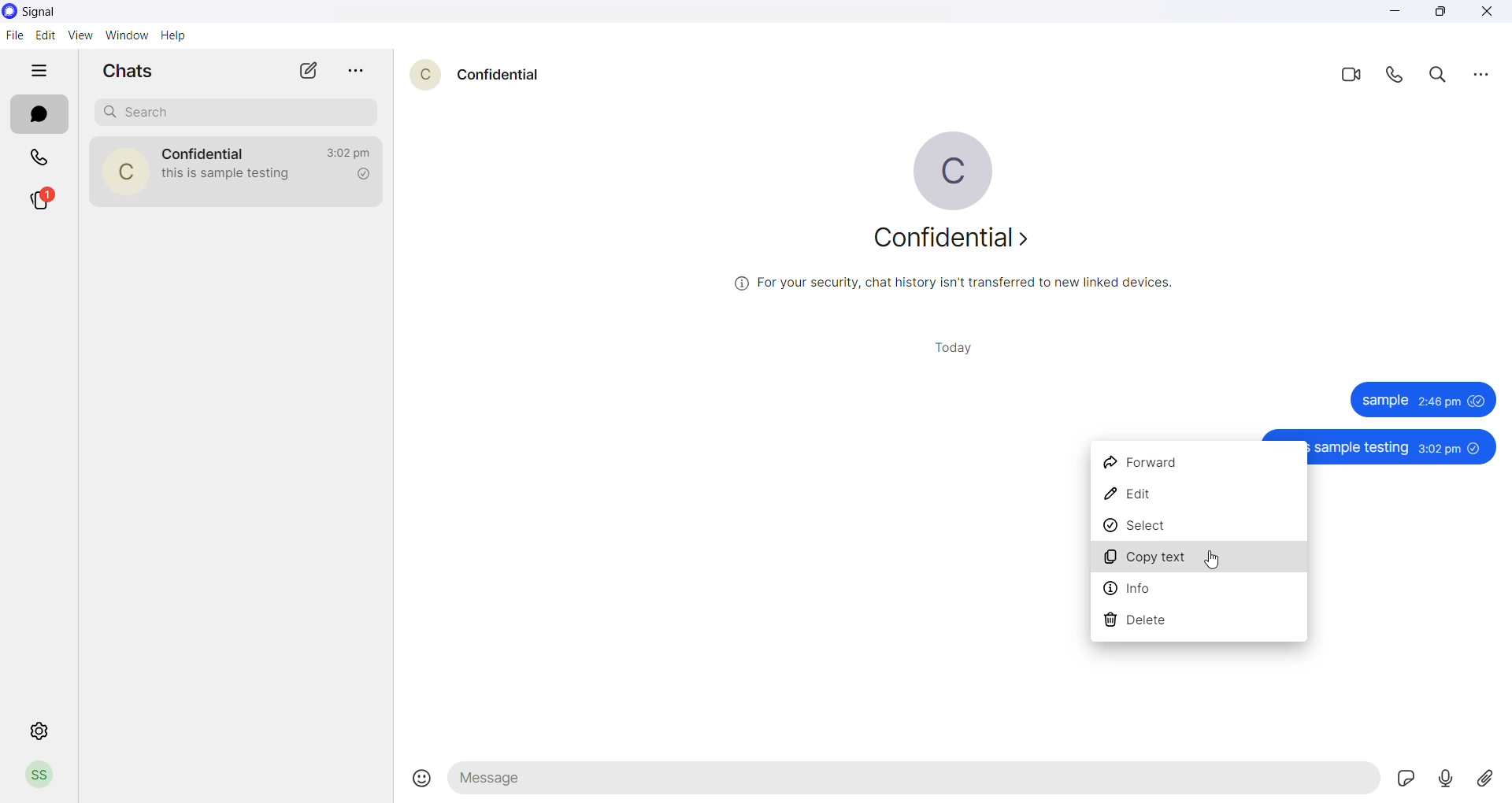 This screenshot has height=803, width=1512. I want to click on profile picture, so click(955, 168).